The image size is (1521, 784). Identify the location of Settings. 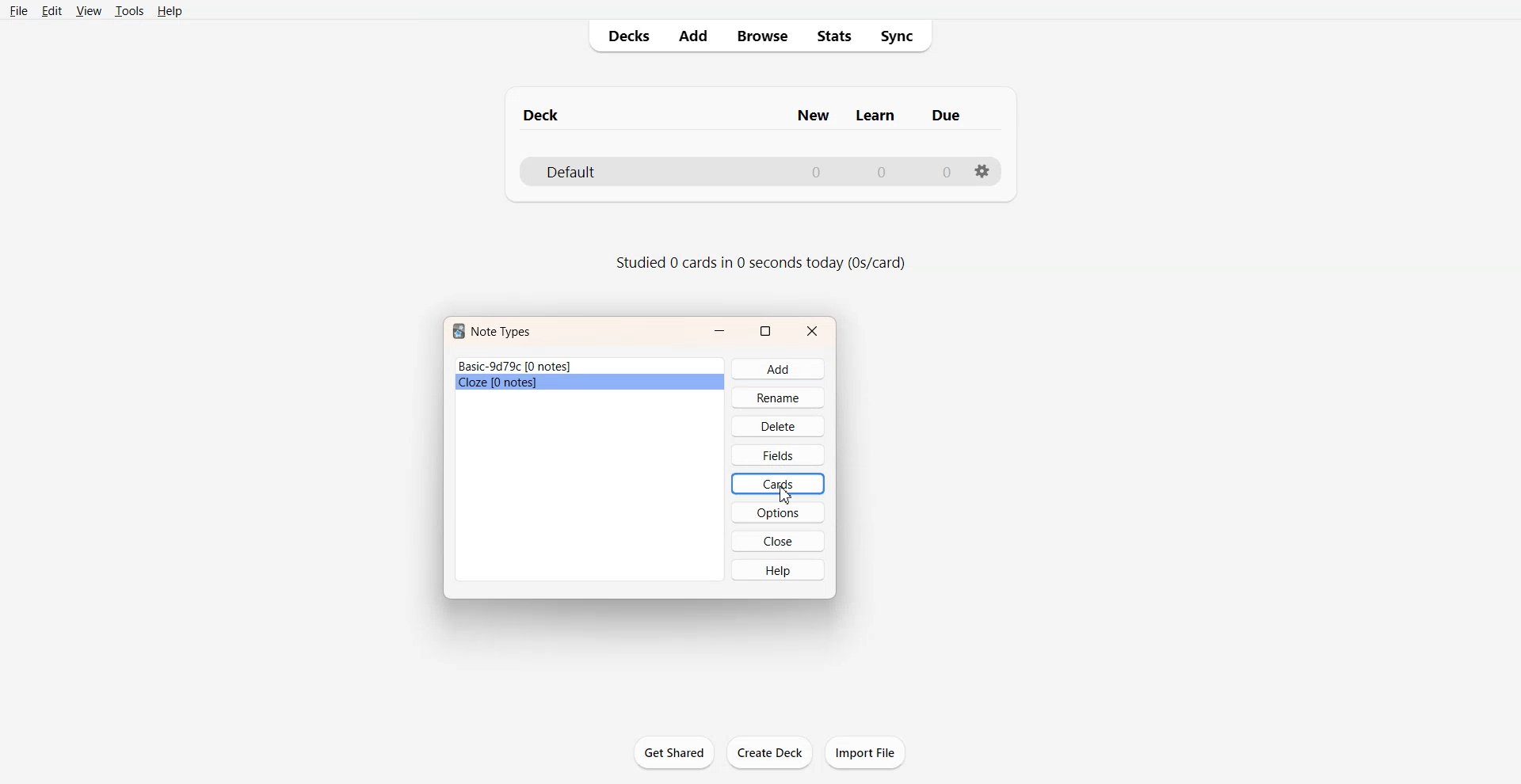
(982, 172).